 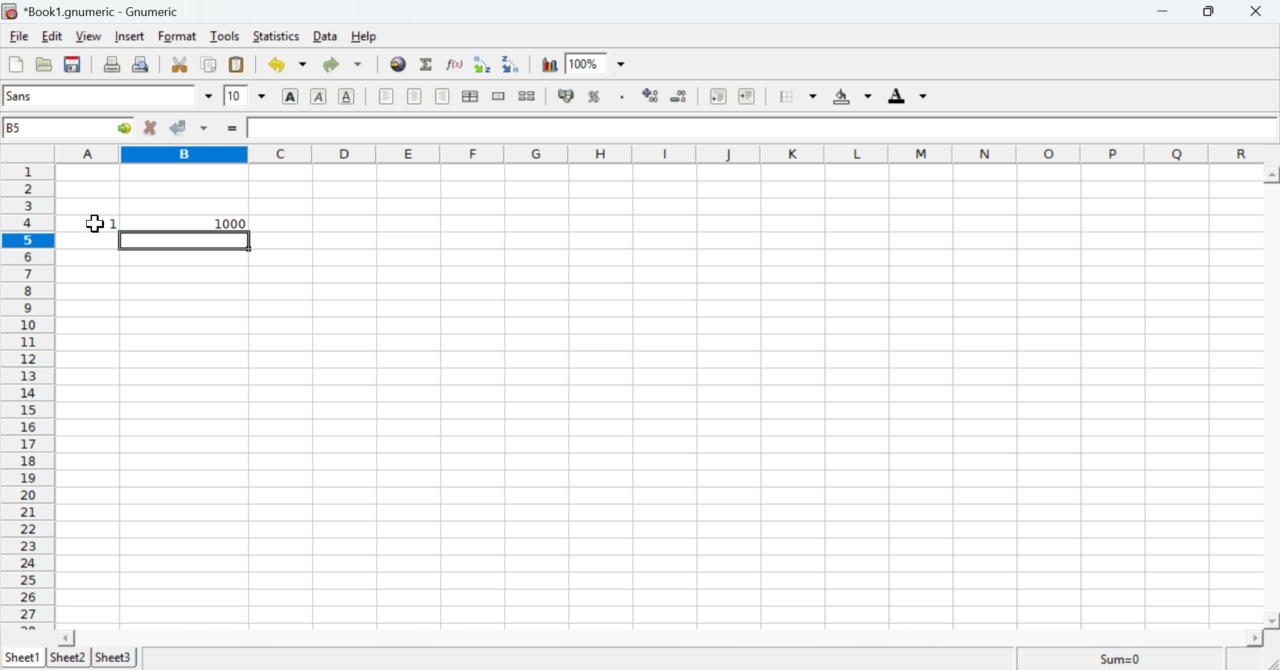 I want to click on Decrease indent, align to left., so click(x=719, y=97).